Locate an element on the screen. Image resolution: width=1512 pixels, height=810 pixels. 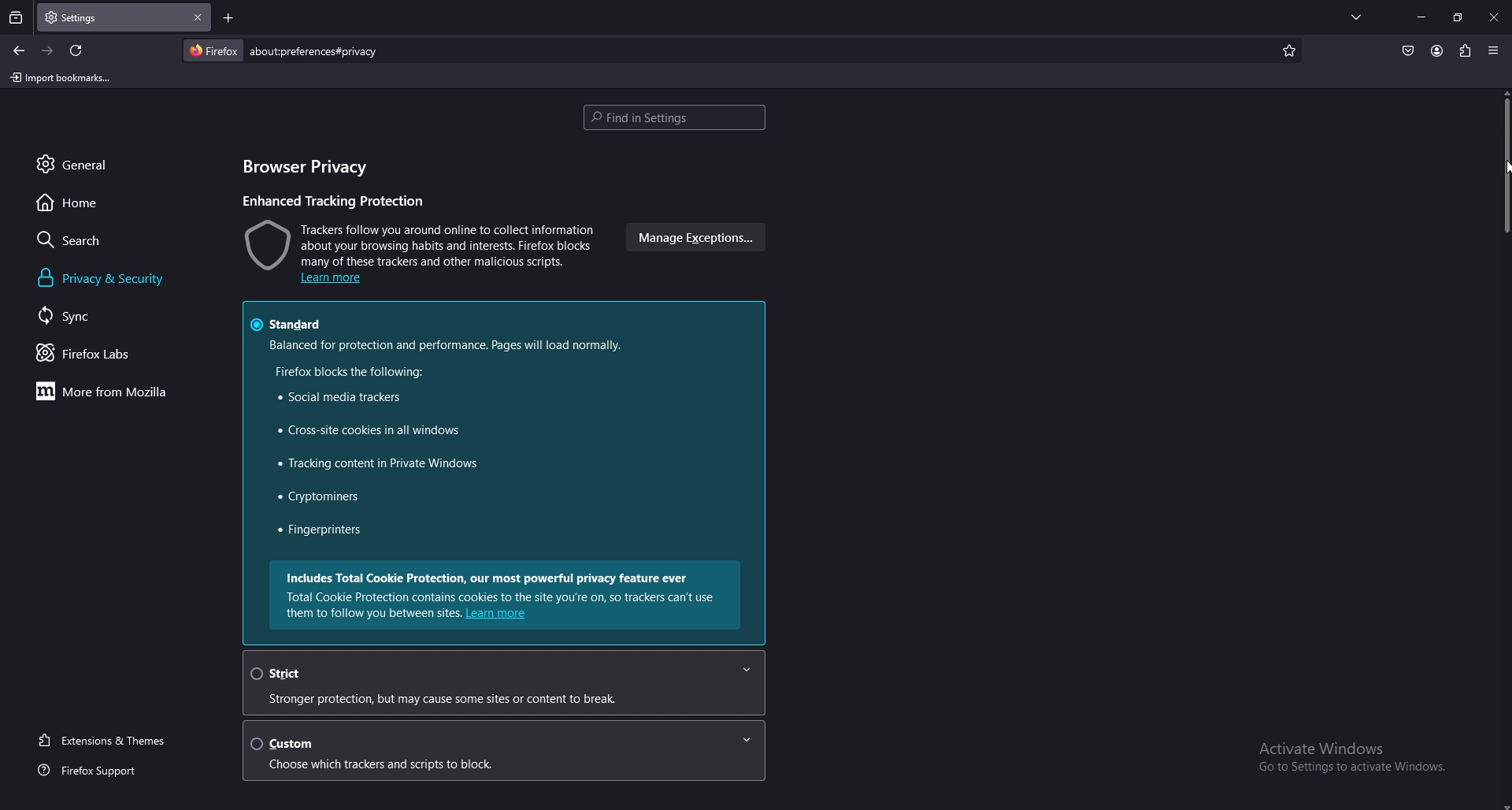
general is located at coordinates (91, 164).